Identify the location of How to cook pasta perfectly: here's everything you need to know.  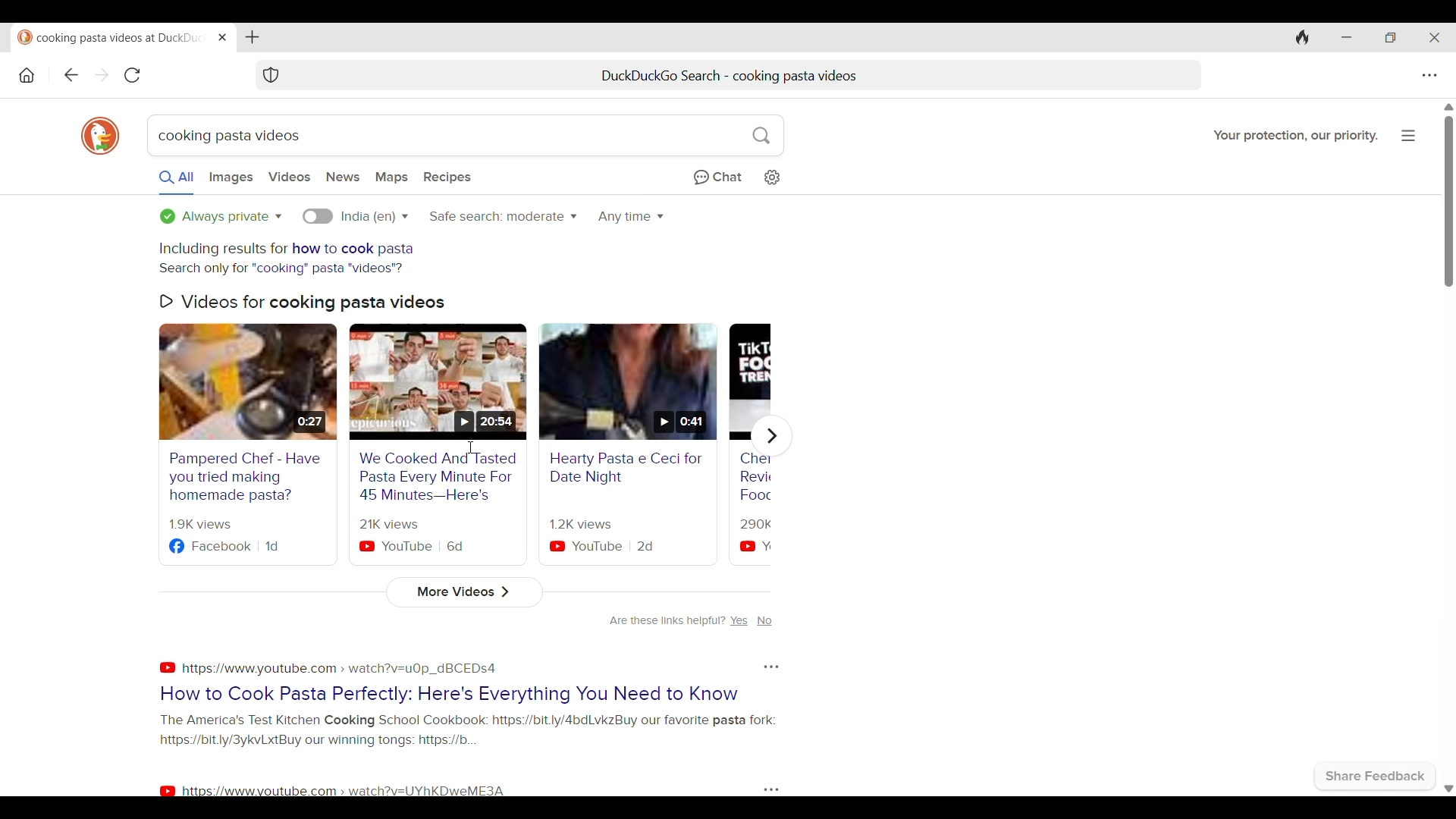
(452, 693).